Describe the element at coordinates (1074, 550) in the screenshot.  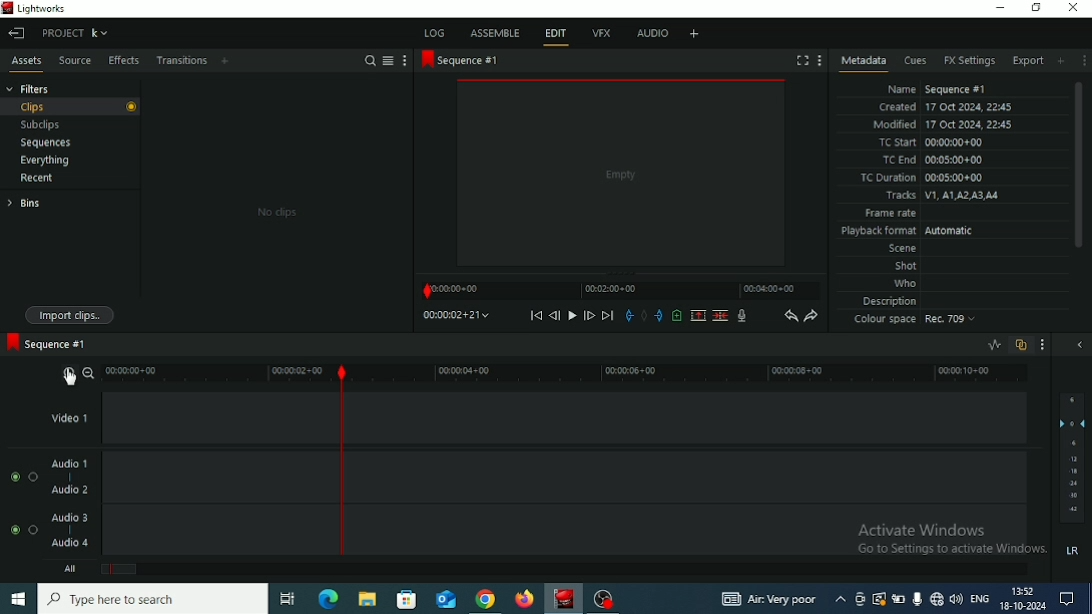
I see `Mute` at that location.